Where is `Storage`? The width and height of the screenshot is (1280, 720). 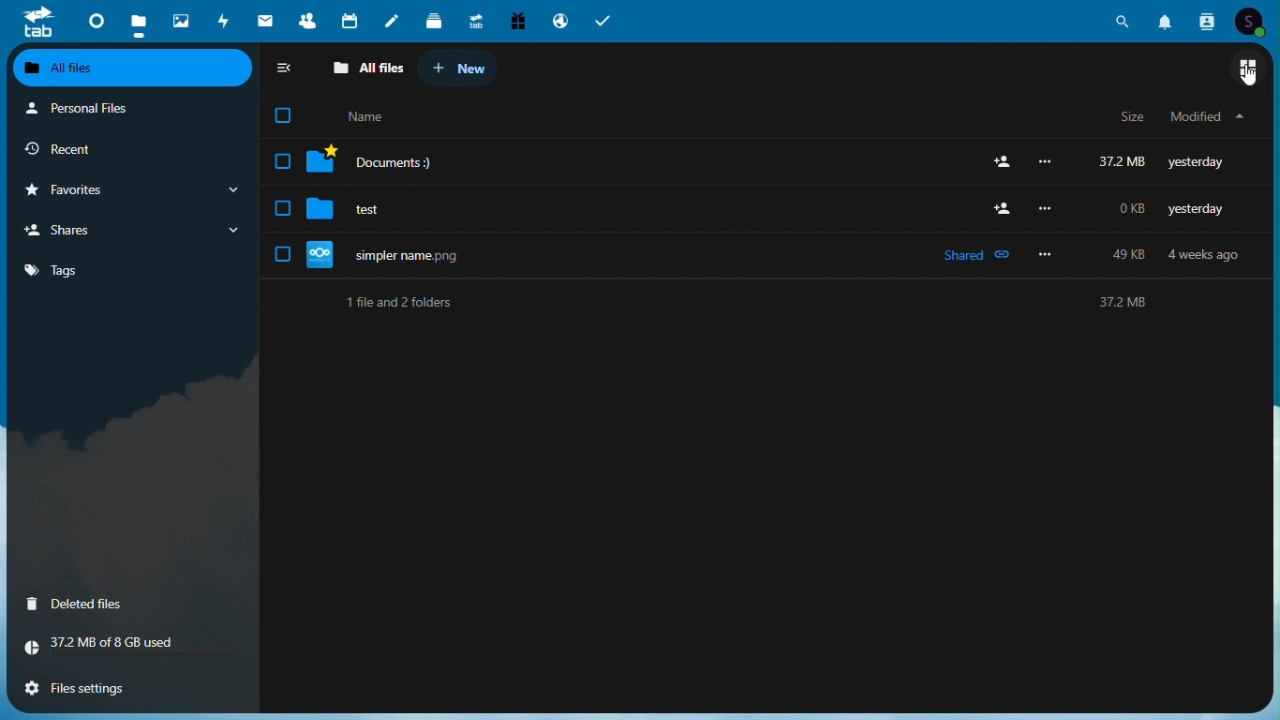
Storage is located at coordinates (129, 647).